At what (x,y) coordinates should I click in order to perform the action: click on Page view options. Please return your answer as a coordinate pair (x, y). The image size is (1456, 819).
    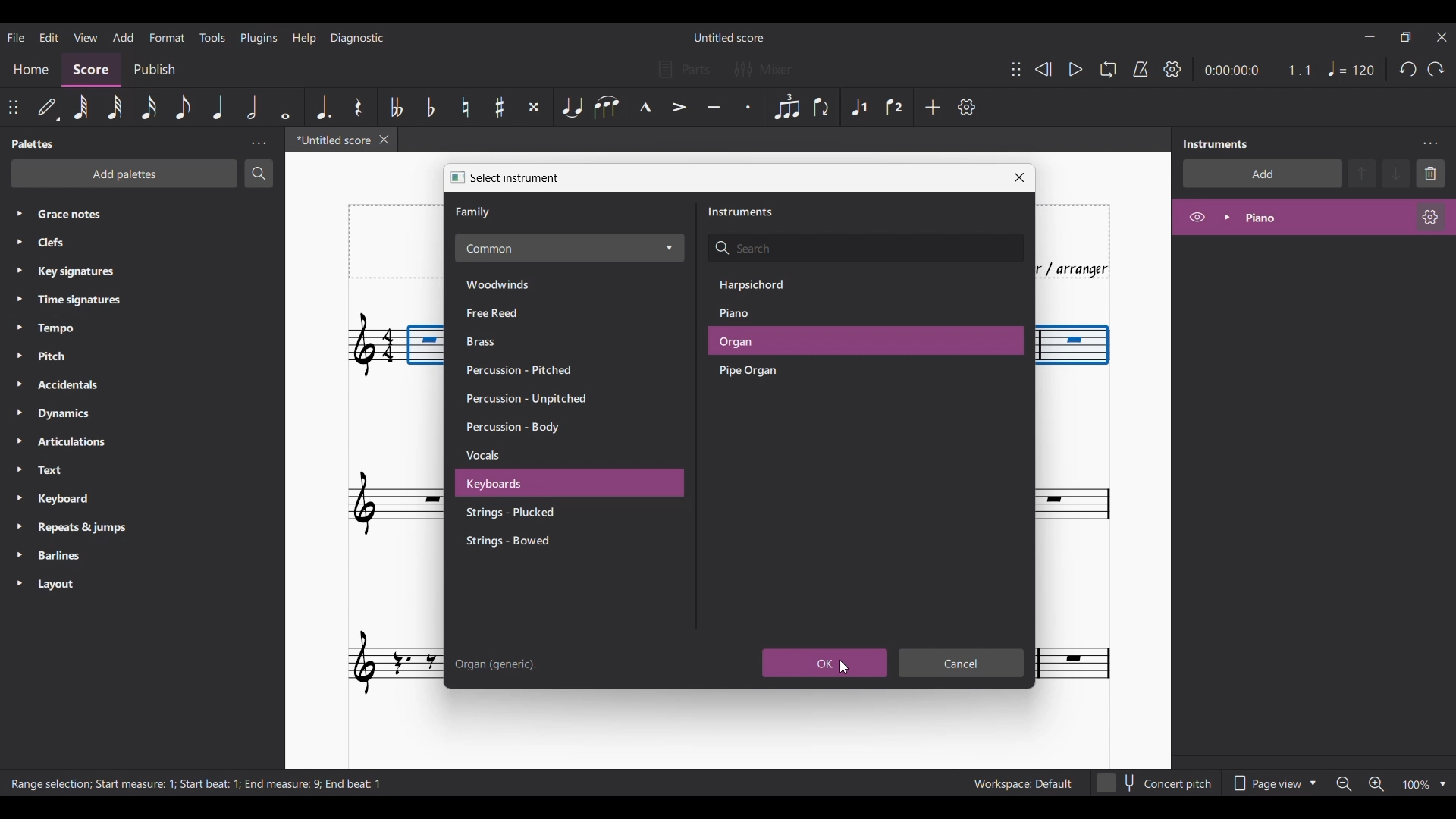
    Looking at the image, I should click on (1273, 783).